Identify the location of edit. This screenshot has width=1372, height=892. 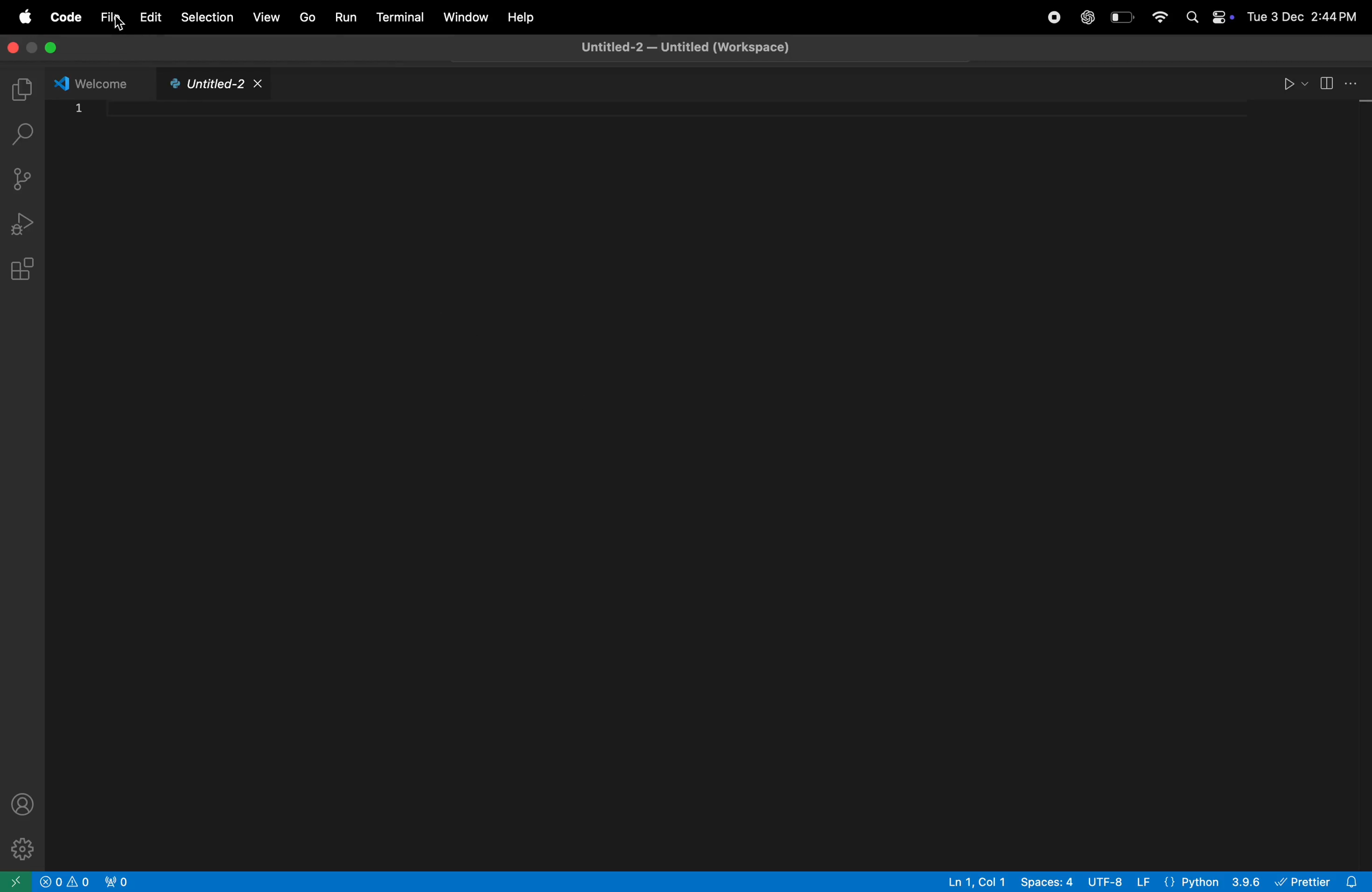
(149, 16).